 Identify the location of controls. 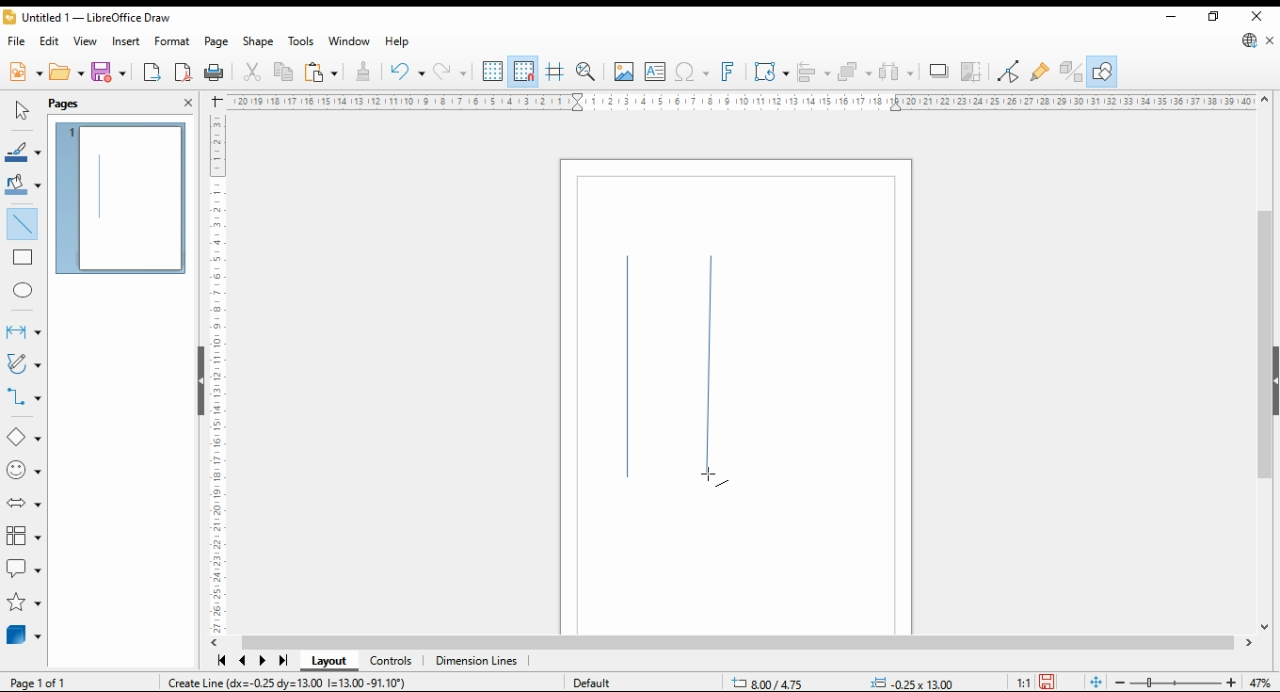
(393, 663).